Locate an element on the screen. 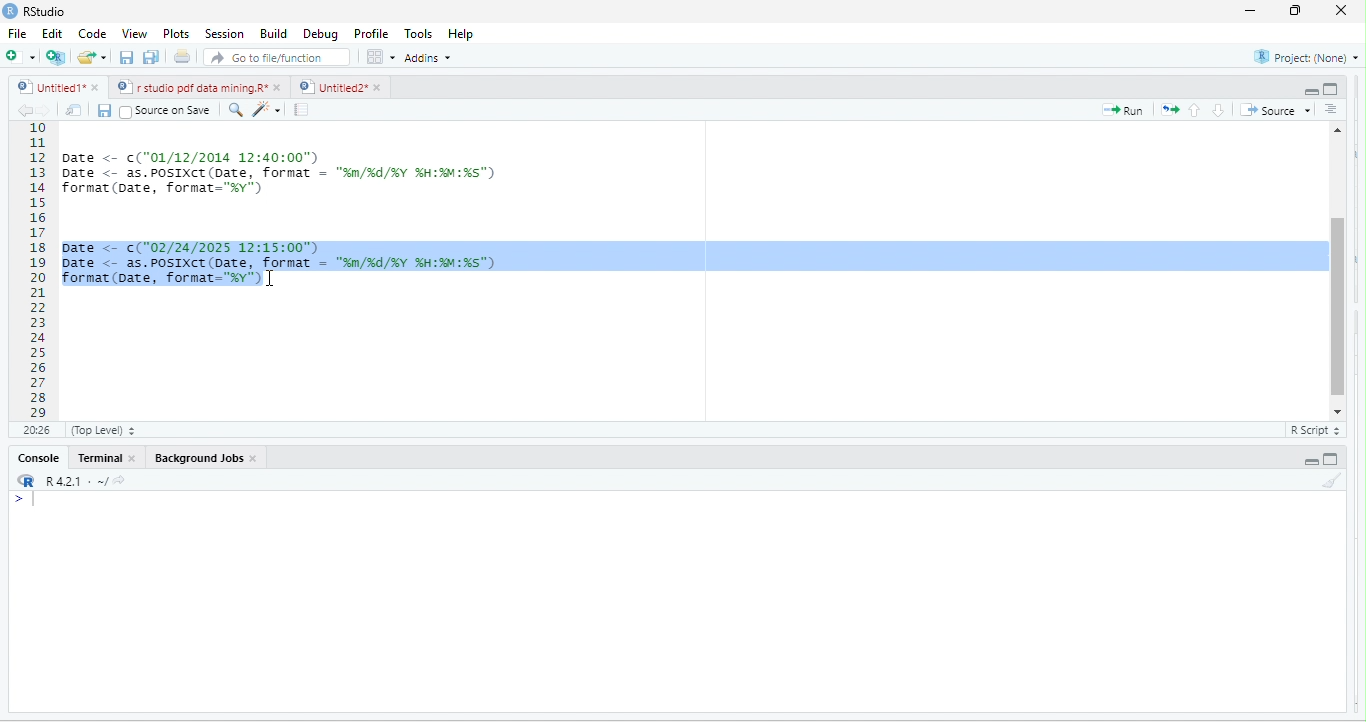 This screenshot has height=722, width=1366. terminal is located at coordinates (101, 460).